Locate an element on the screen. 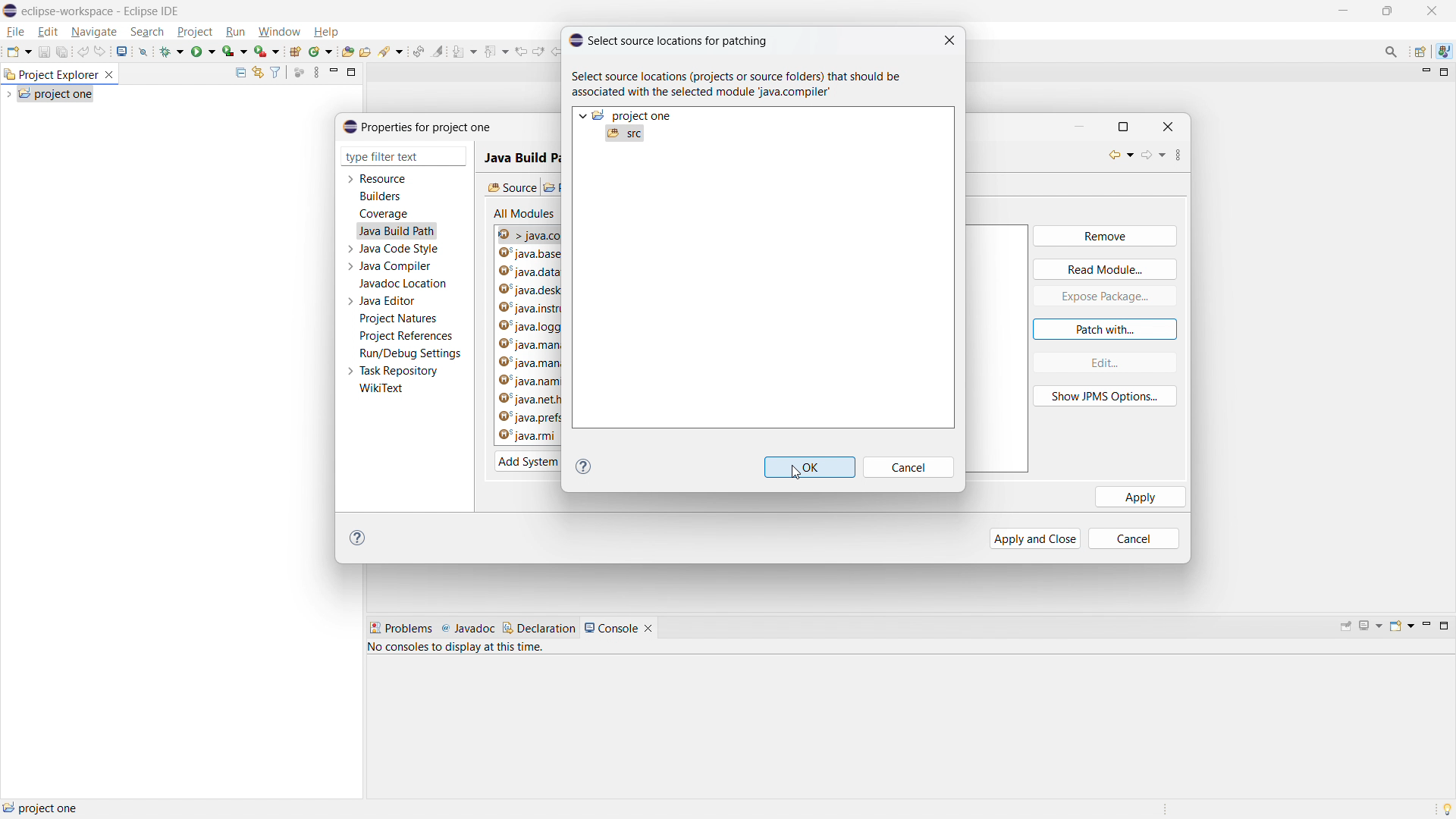  view previous location is located at coordinates (521, 50).